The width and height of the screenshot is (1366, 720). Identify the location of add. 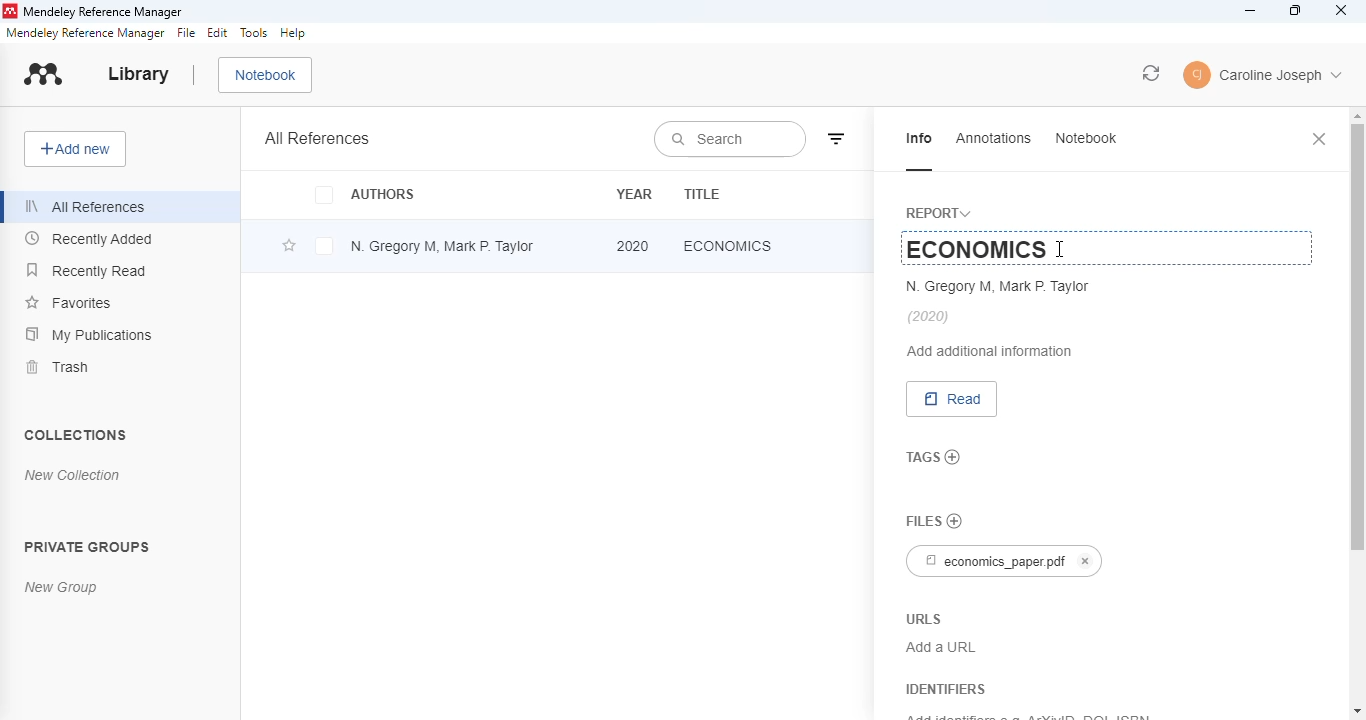
(954, 458).